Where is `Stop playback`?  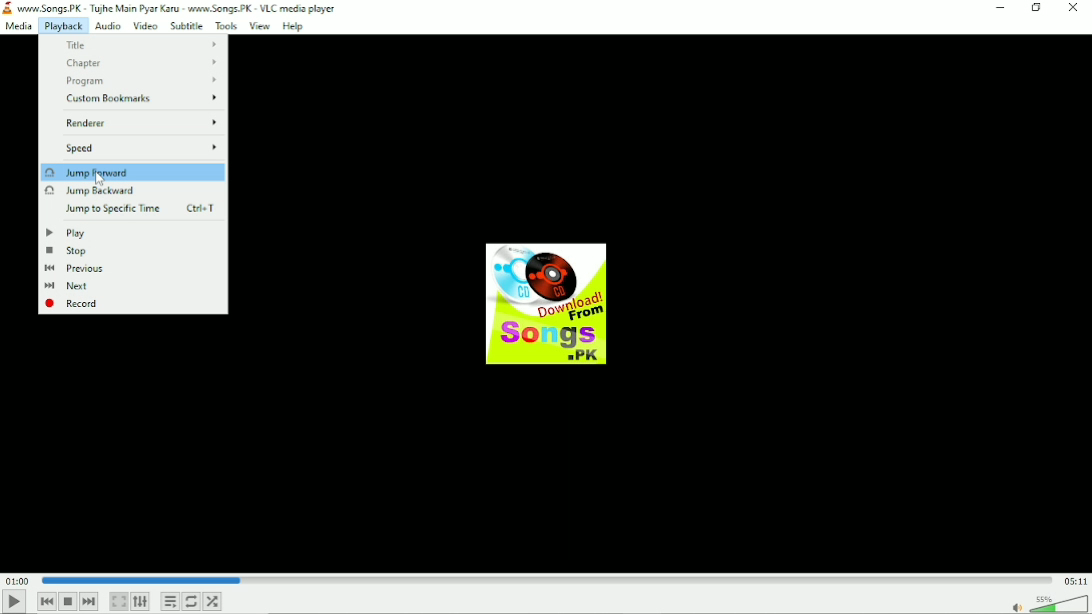
Stop playback is located at coordinates (69, 601).